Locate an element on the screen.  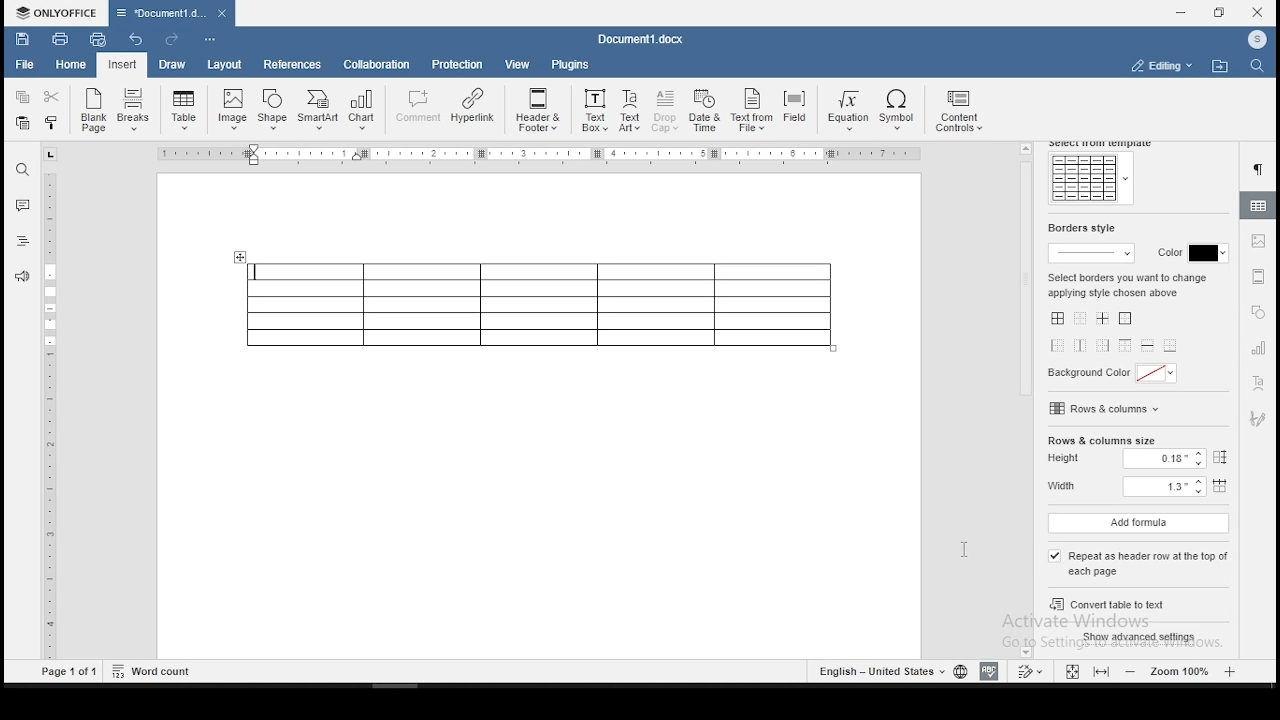
copy is located at coordinates (23, 97).